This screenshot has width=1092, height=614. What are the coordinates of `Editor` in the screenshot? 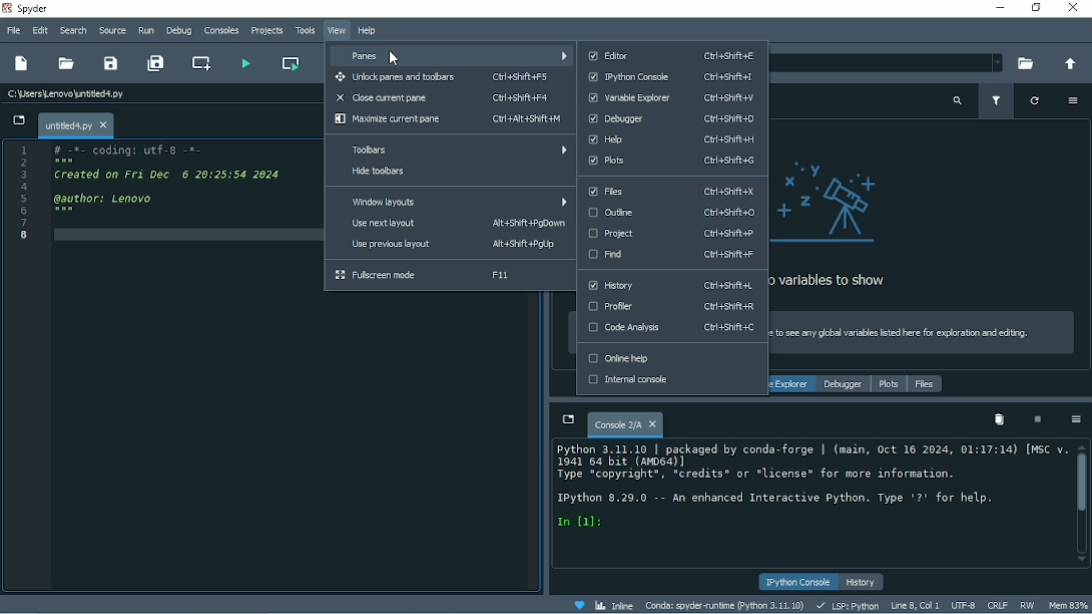 It's located at (671, 55).